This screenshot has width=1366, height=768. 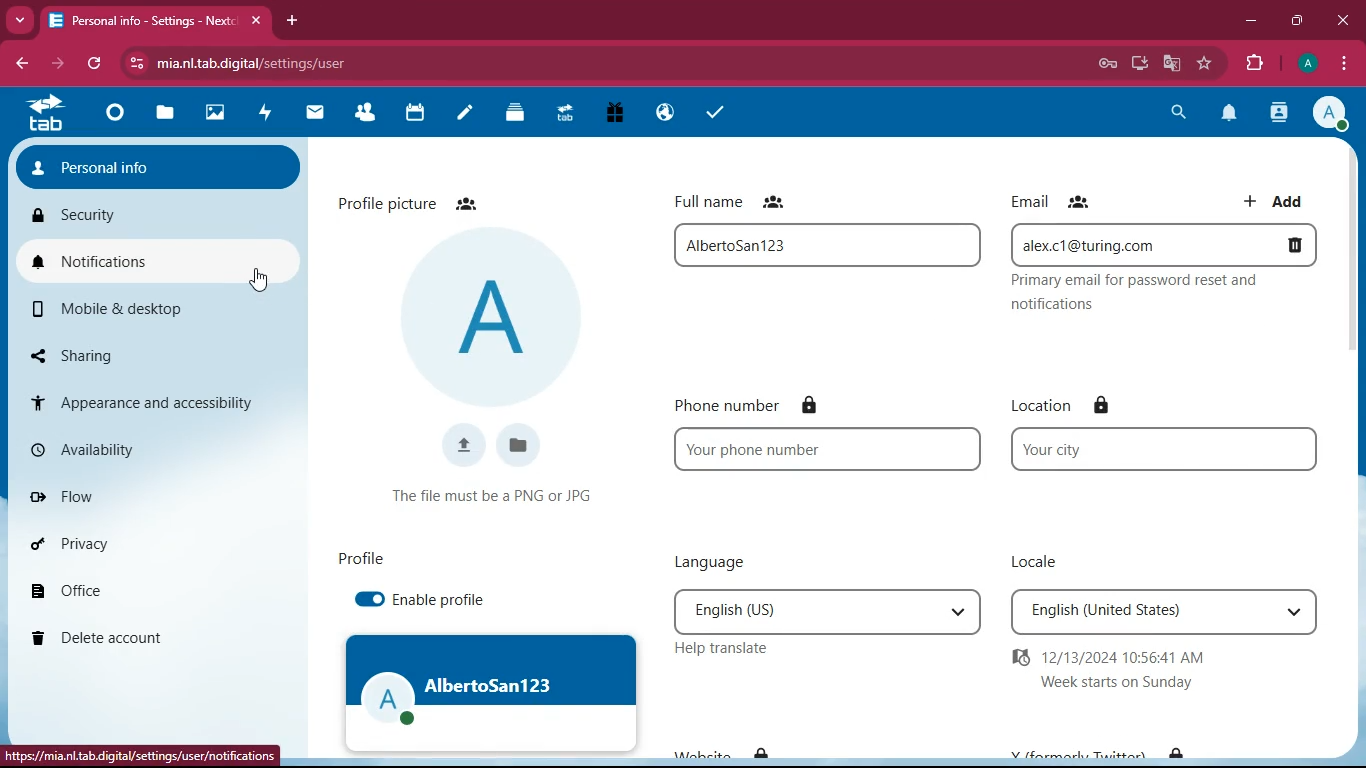 I want to click on locale, so click(x=1028, y=559).